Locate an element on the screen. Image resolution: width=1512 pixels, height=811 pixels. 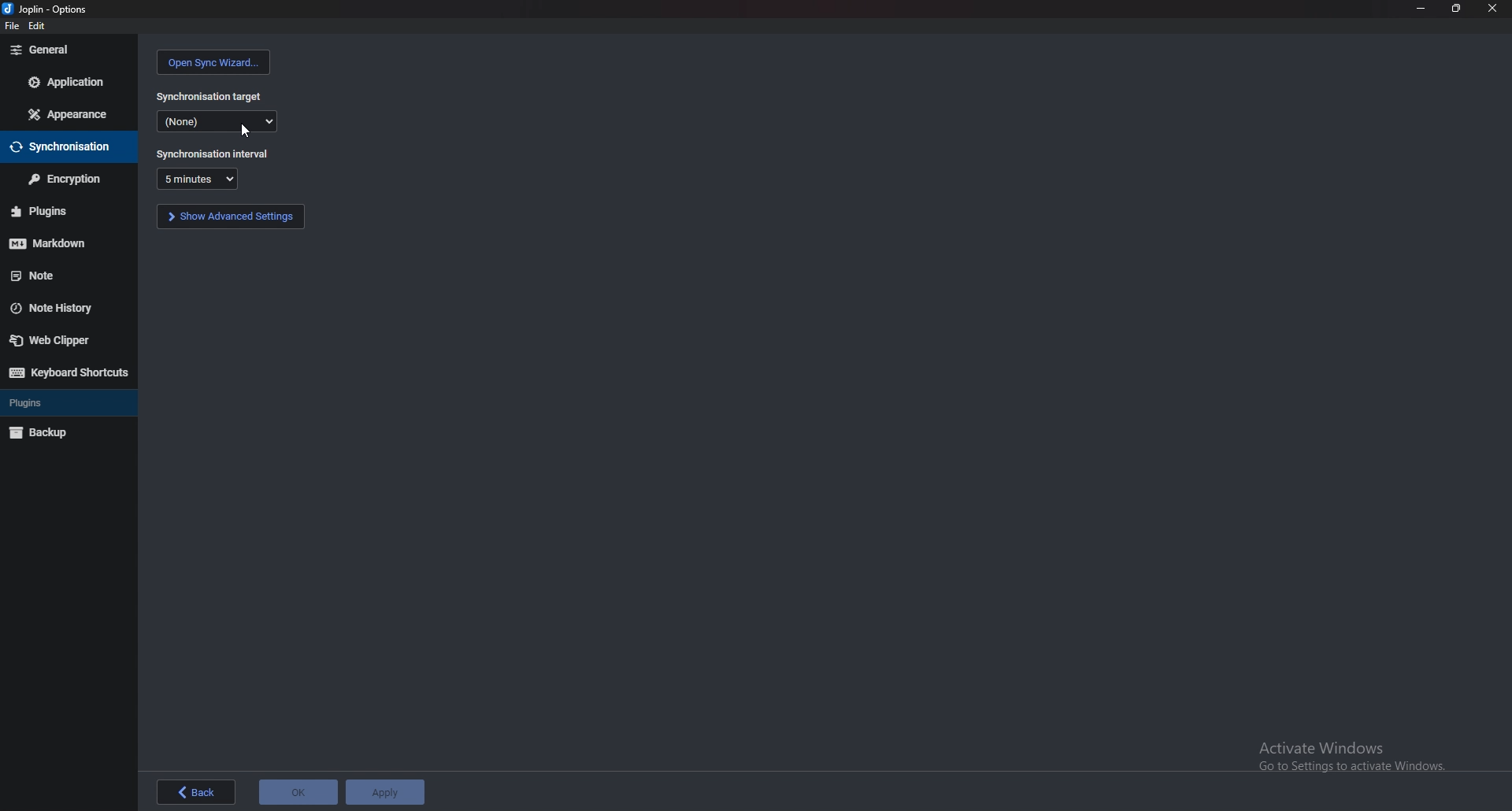
options is located at coordinates (54, 8).